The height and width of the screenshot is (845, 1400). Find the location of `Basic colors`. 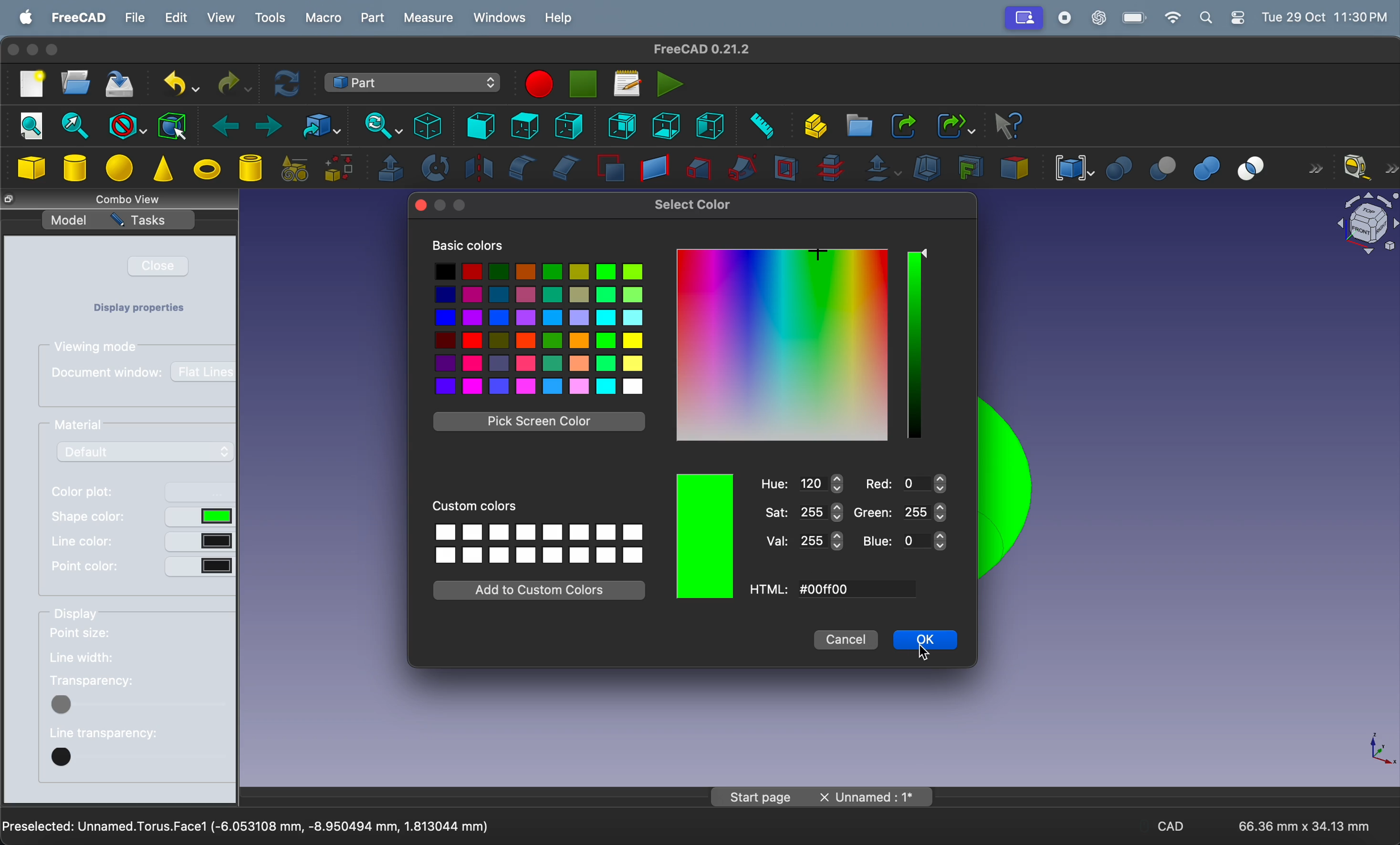

Basic colors is located at coordinates (468, 244).